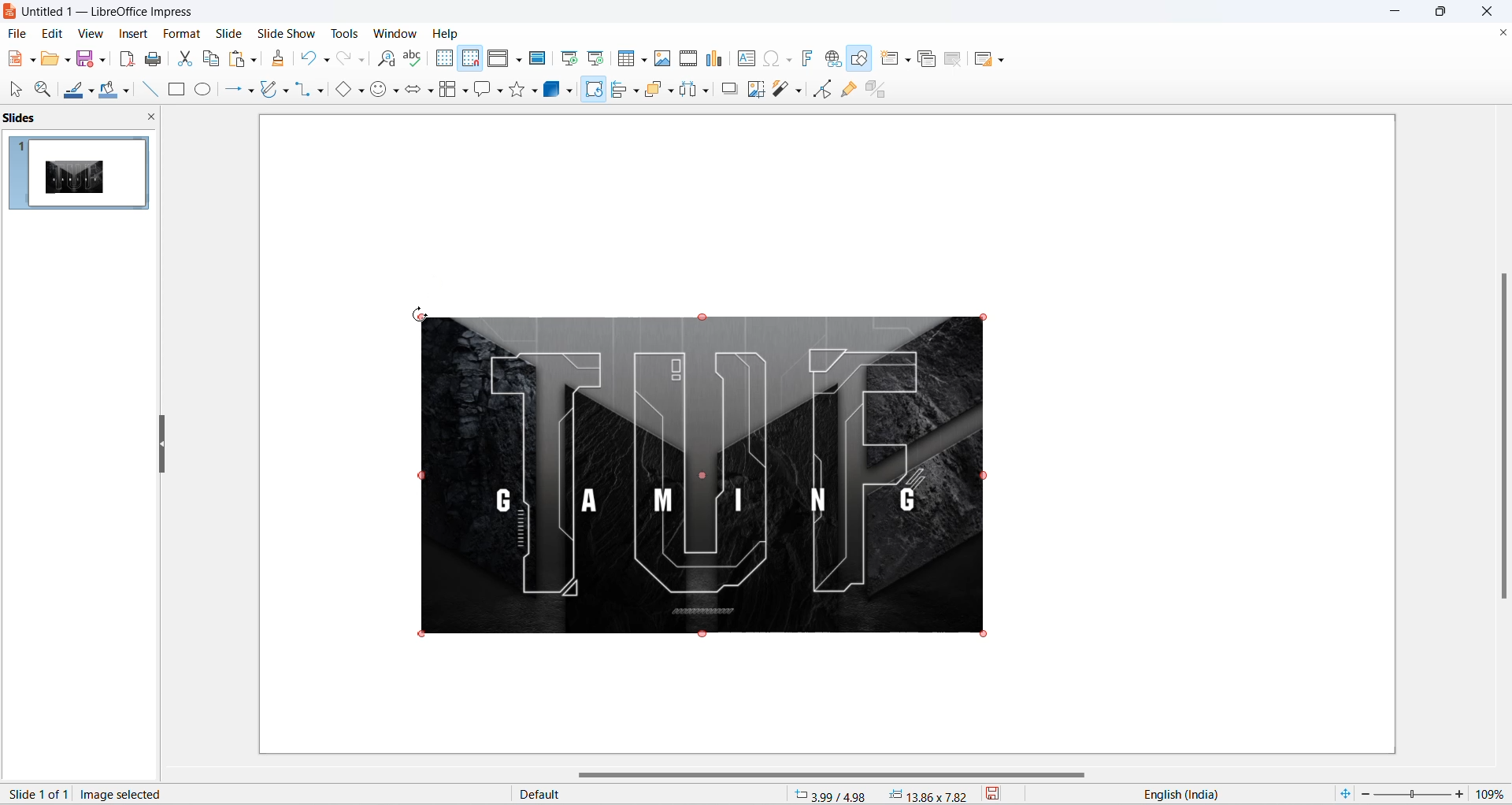  I want to click on callout shapes options, so click(498, 92).